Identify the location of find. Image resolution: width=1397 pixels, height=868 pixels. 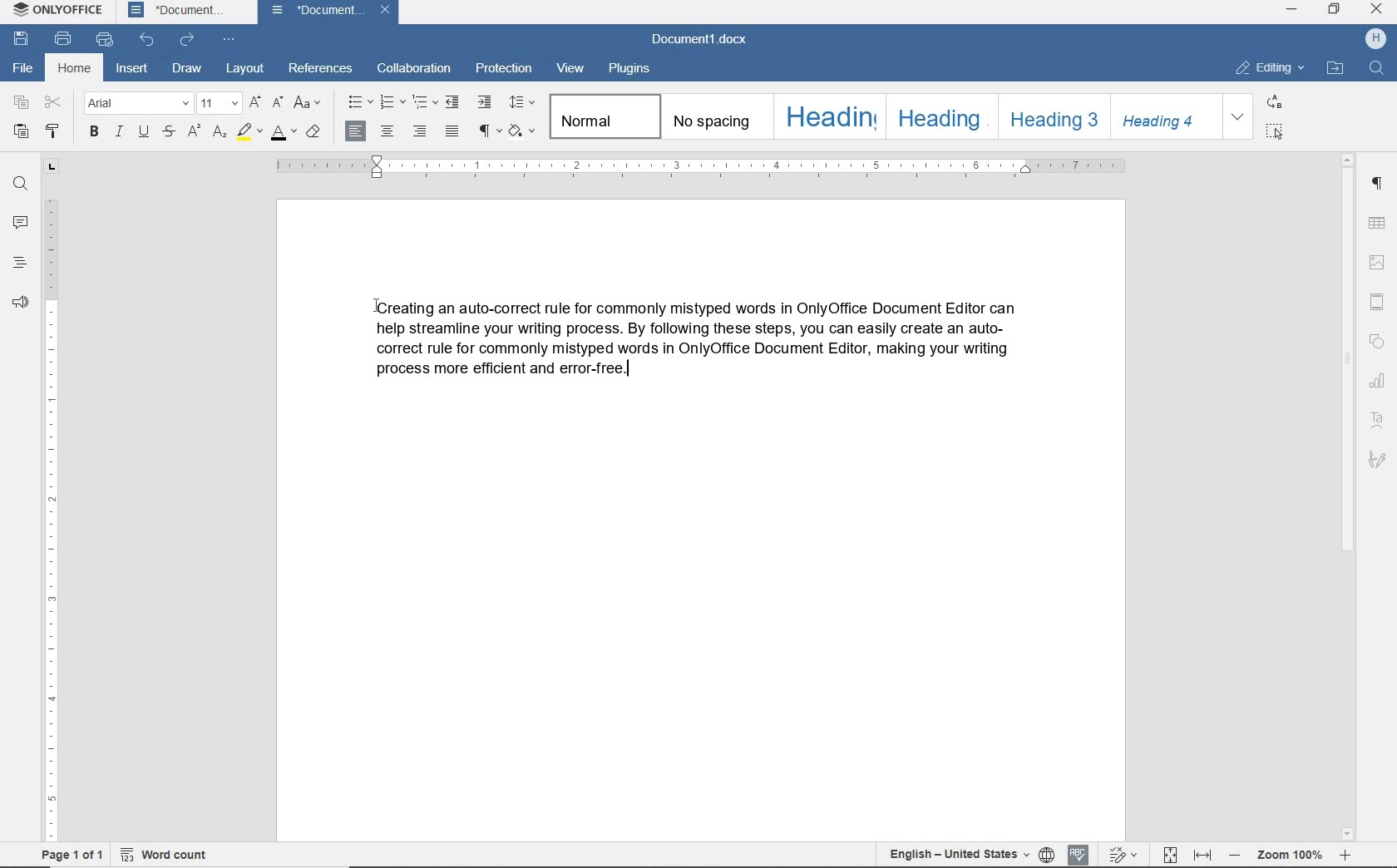
(1376, 69).